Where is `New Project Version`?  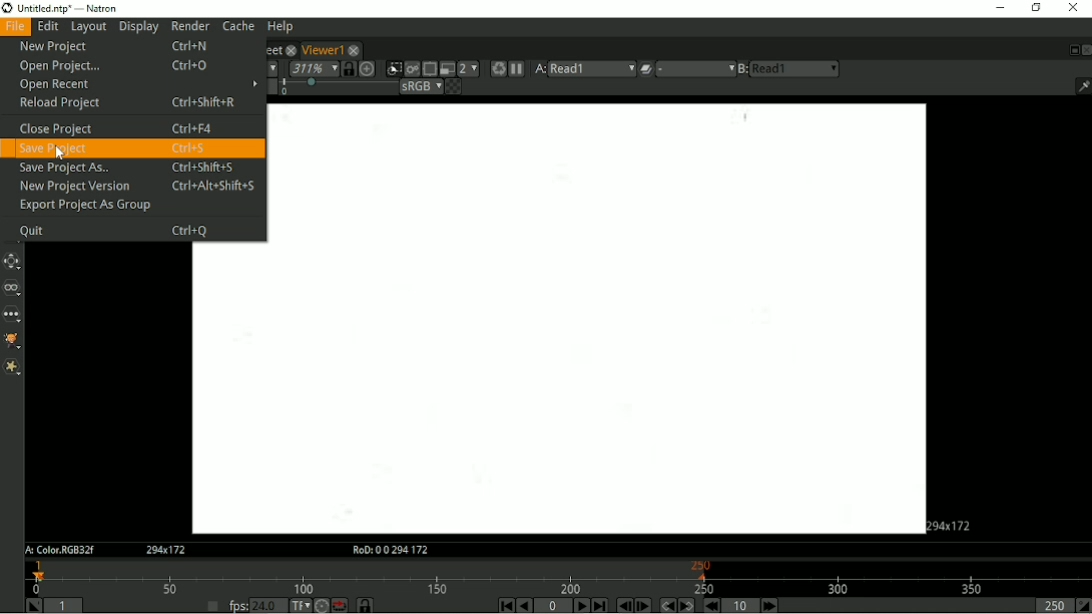 New Project Version is located at coordinates (138, 187).